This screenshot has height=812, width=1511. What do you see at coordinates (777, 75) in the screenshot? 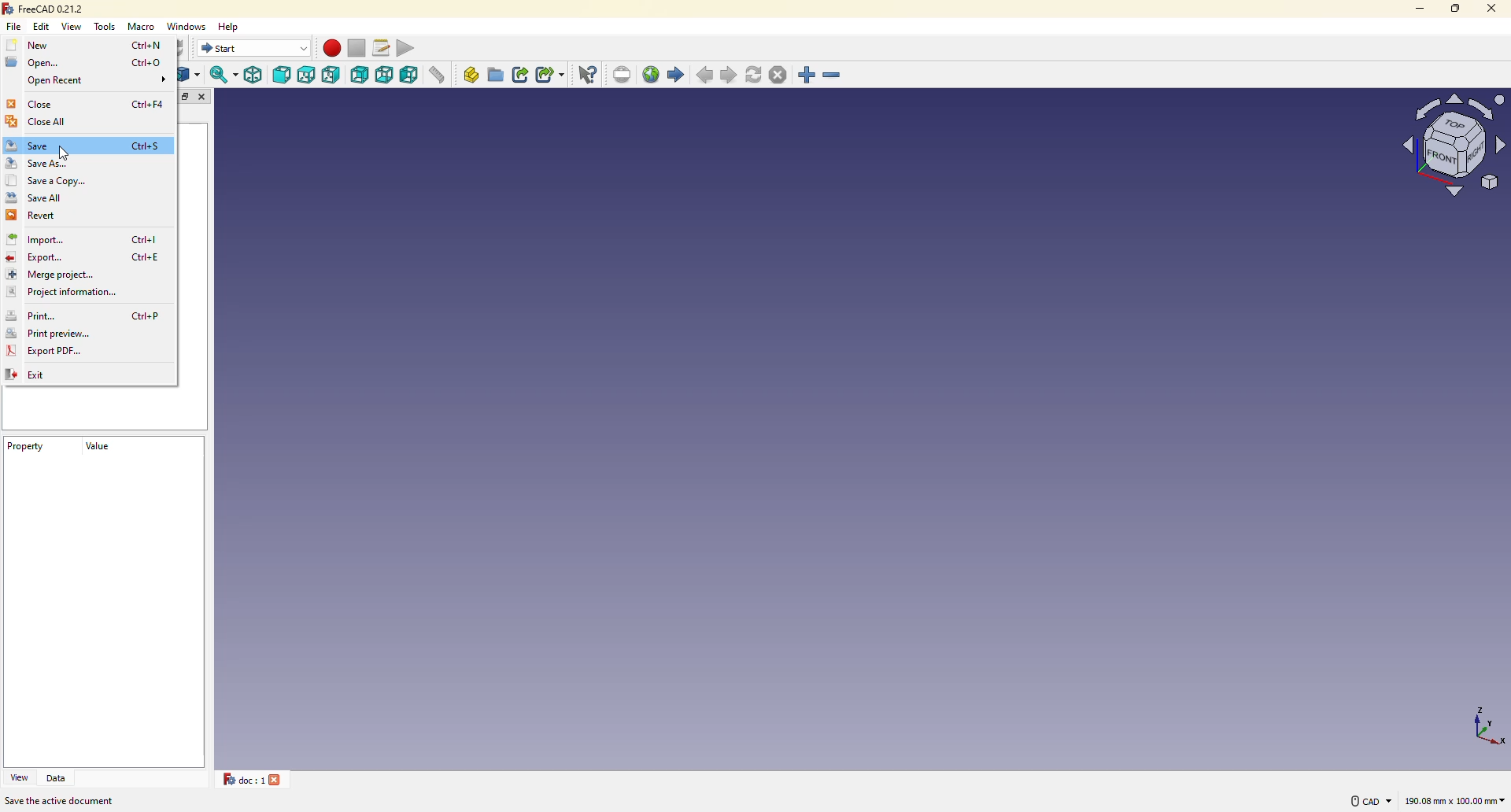
I see `stop loading` at bounding box center [777, 75].